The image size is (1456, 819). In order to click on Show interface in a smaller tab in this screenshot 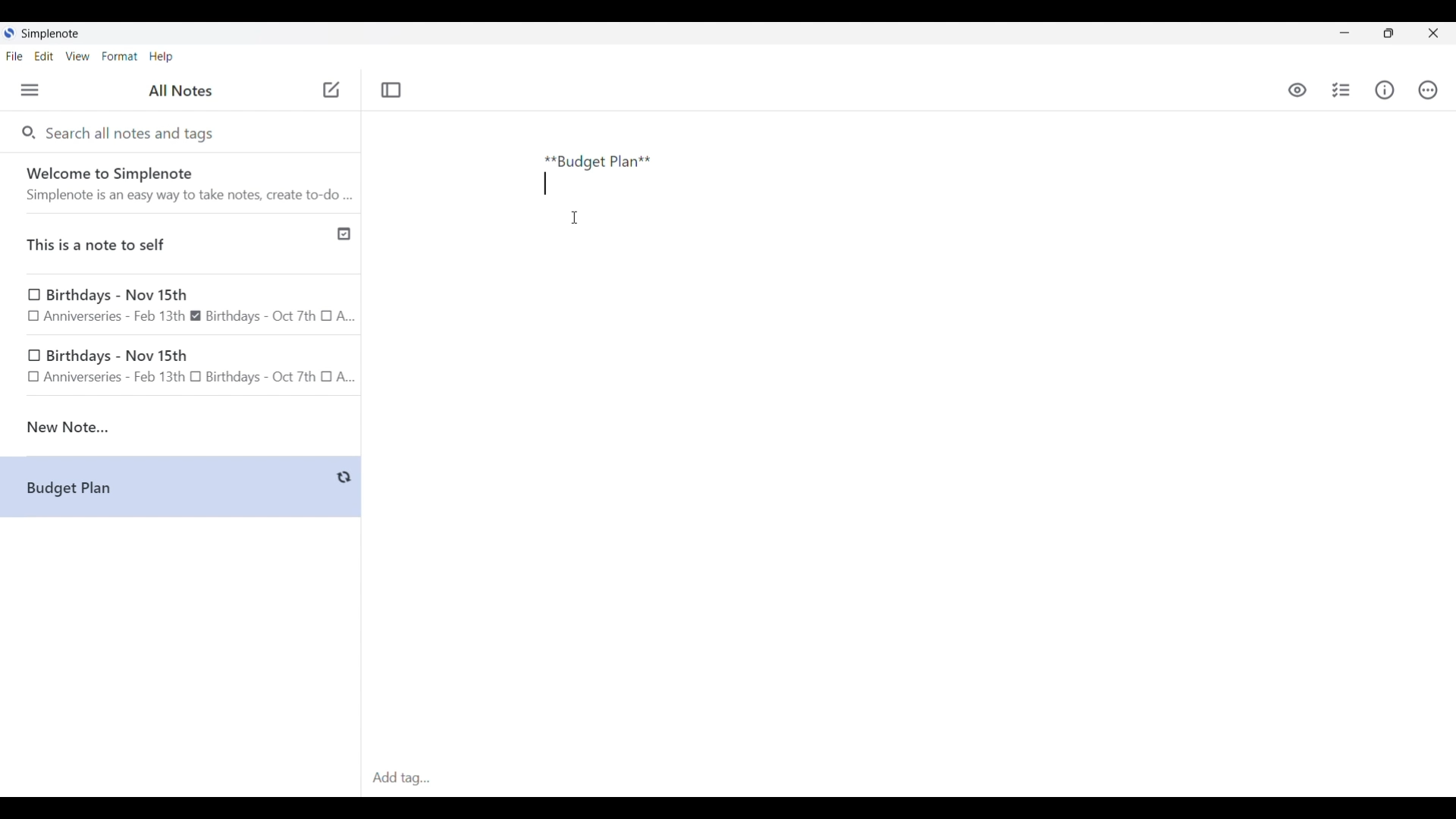, I will do `click(1389, 33)`.